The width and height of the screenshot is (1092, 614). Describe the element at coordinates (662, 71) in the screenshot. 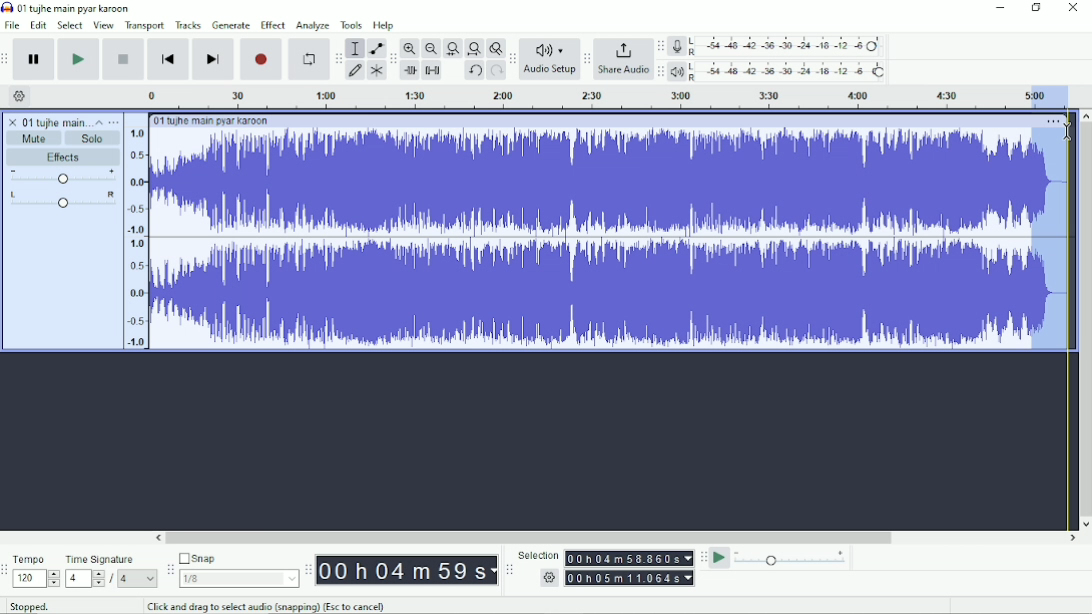

I see `Audacity playback meter toolbar` at that location.